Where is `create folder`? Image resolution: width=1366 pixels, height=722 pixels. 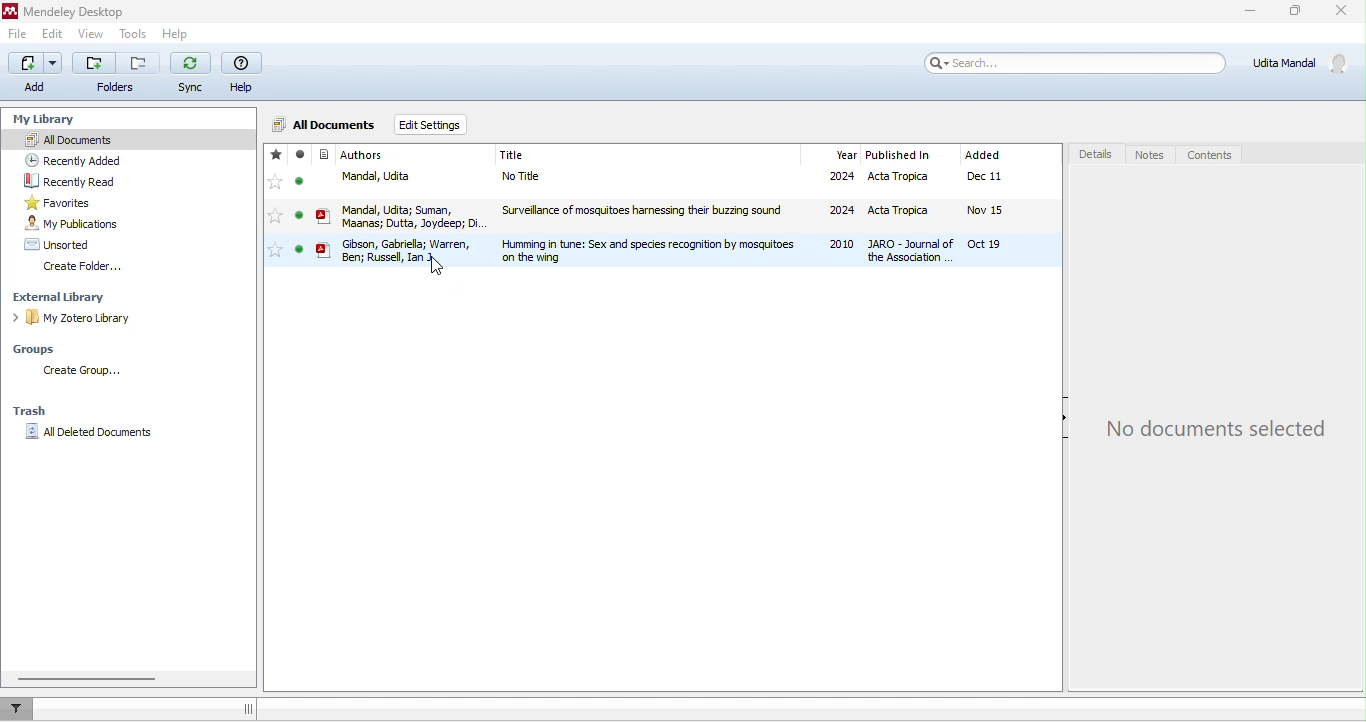 create folder is located at coordinates (88, 269).